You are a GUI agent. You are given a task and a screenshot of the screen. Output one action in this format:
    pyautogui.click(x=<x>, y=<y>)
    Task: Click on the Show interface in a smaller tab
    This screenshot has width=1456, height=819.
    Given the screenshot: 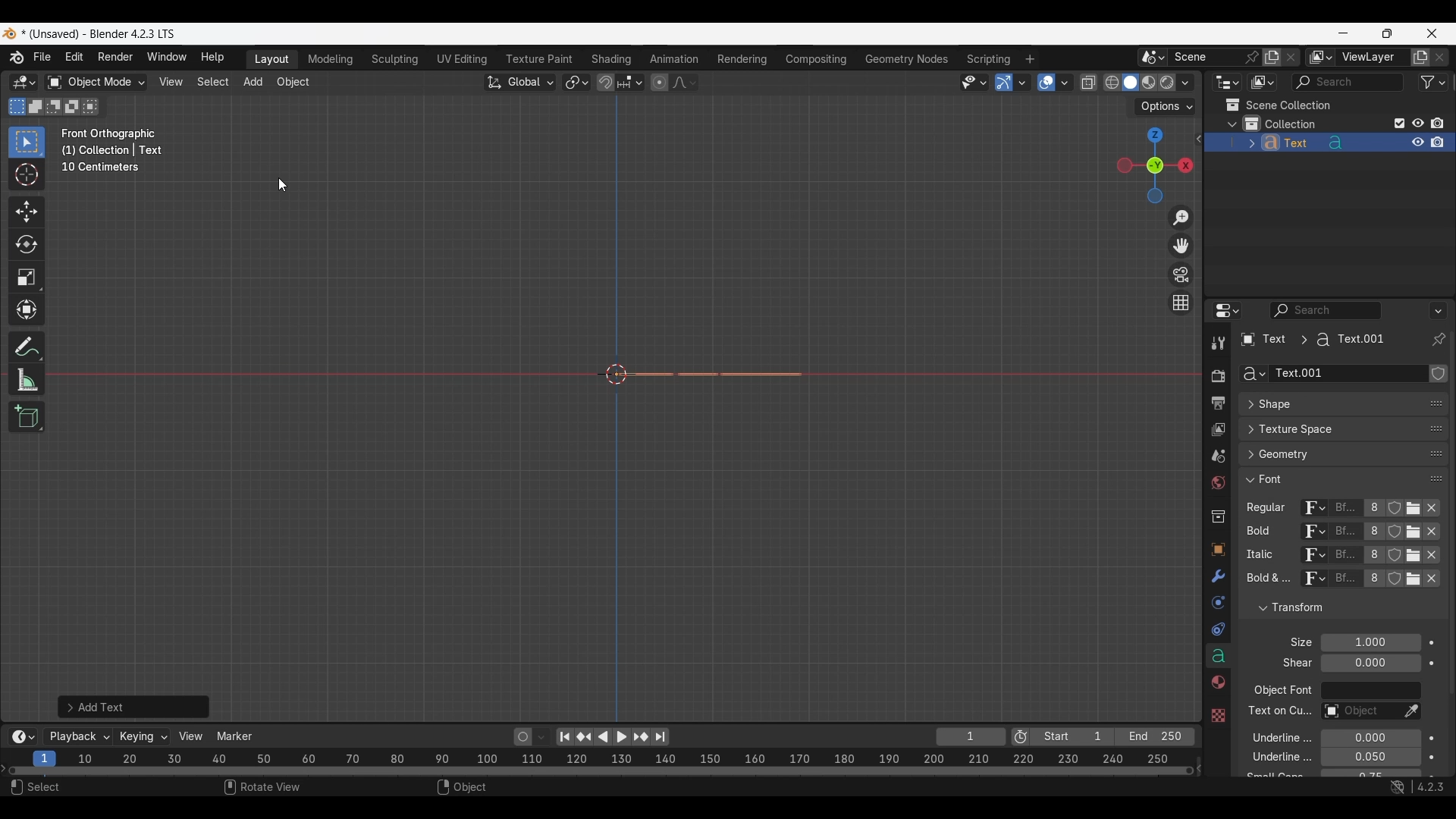 What is the action you would take?
    pyautogui.click(x=1387, y=33)
    